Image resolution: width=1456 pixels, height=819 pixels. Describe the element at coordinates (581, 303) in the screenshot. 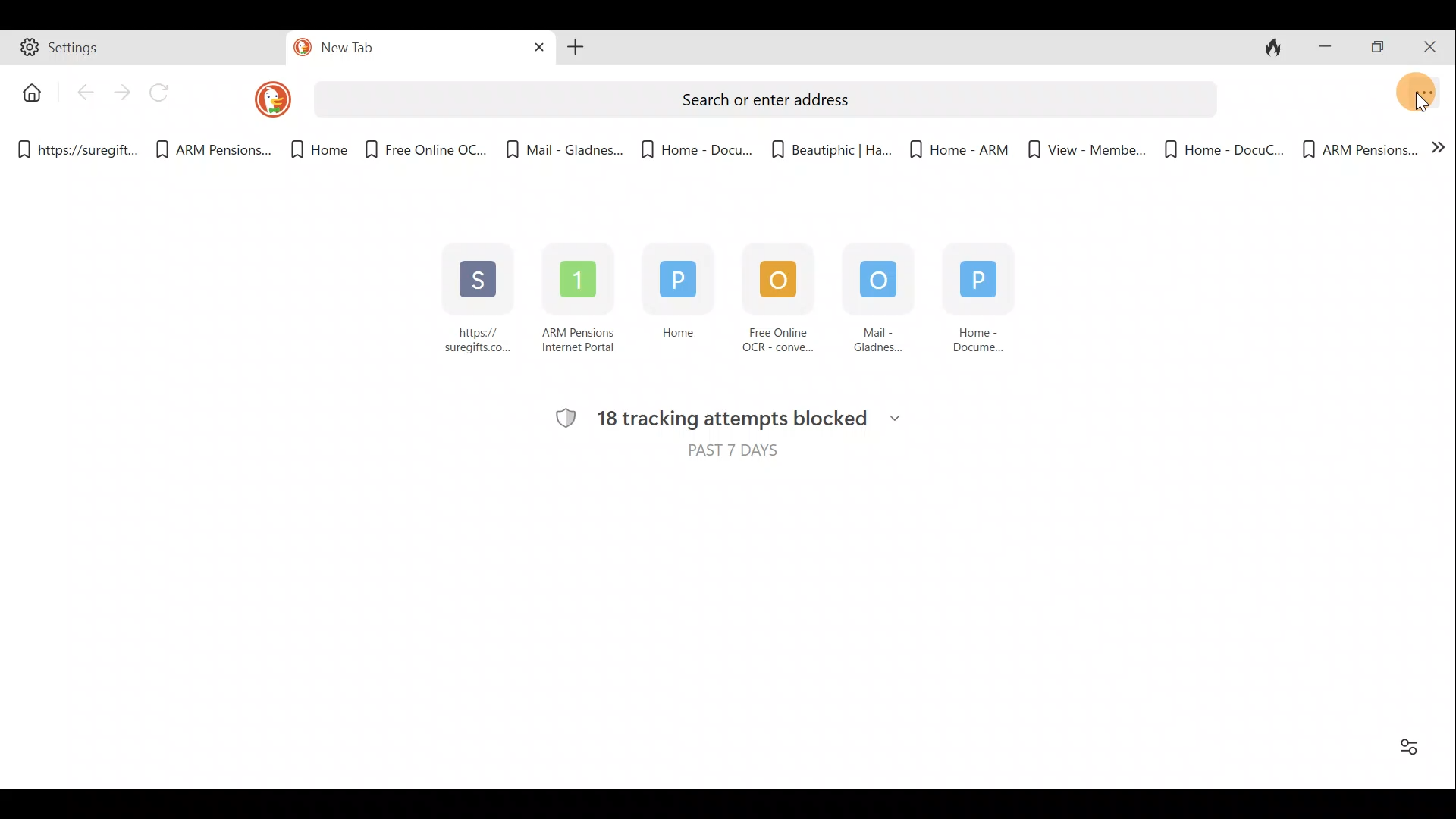

I see `ARM Pensions Internet Portal` at that location.